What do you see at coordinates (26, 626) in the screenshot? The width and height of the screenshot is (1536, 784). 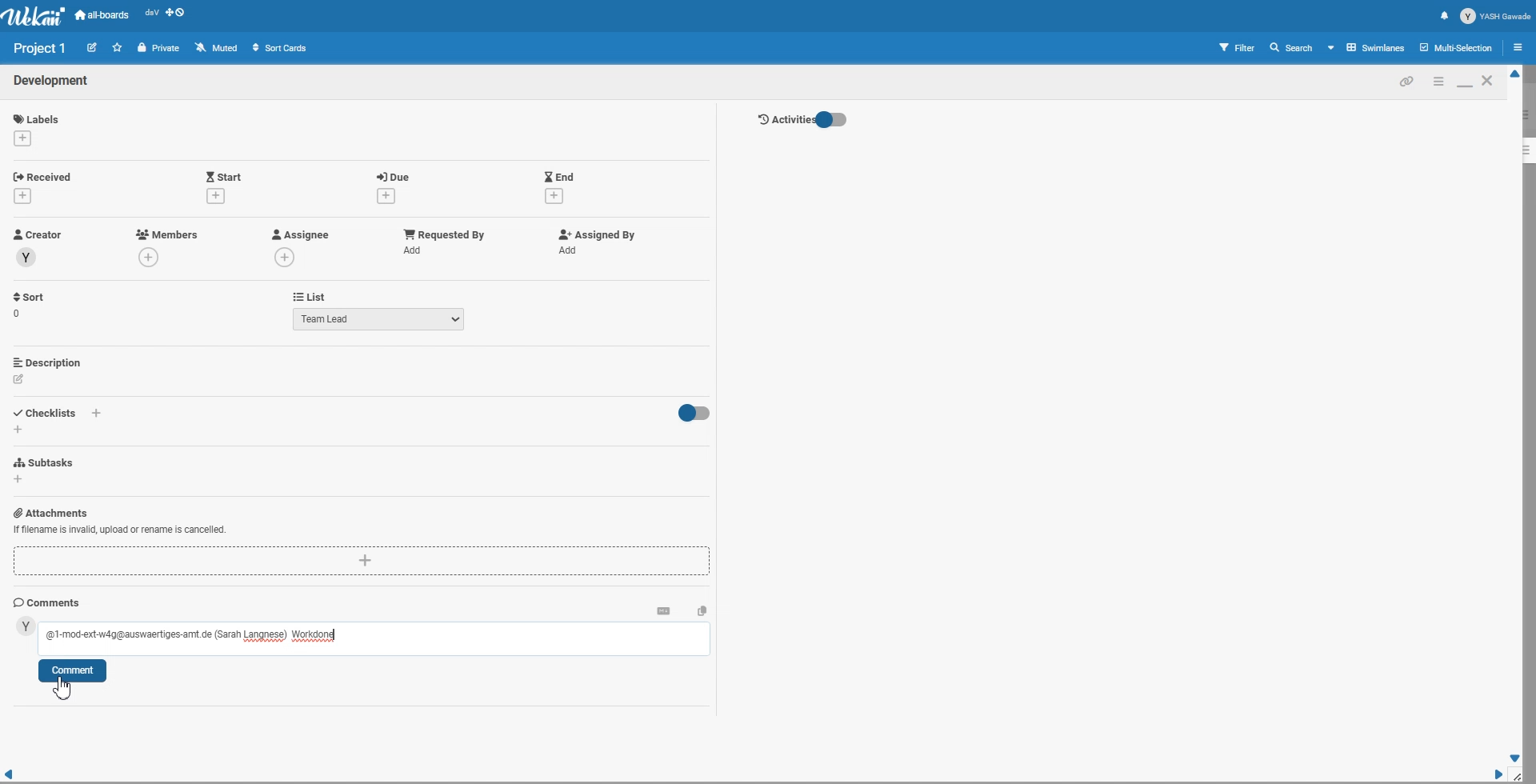 I see `avatar` at bounding box center [26, 626].